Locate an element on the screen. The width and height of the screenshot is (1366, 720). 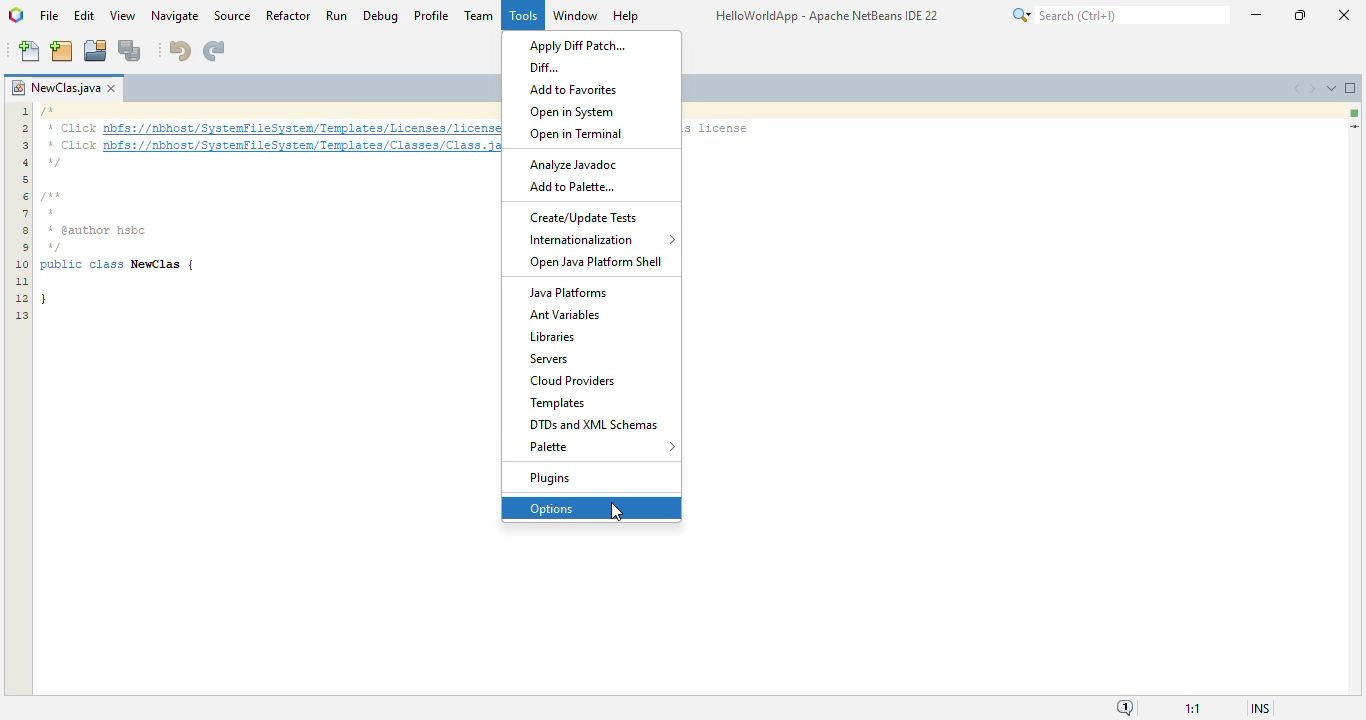
analyze javadoc is located at coordinates (574, 165).